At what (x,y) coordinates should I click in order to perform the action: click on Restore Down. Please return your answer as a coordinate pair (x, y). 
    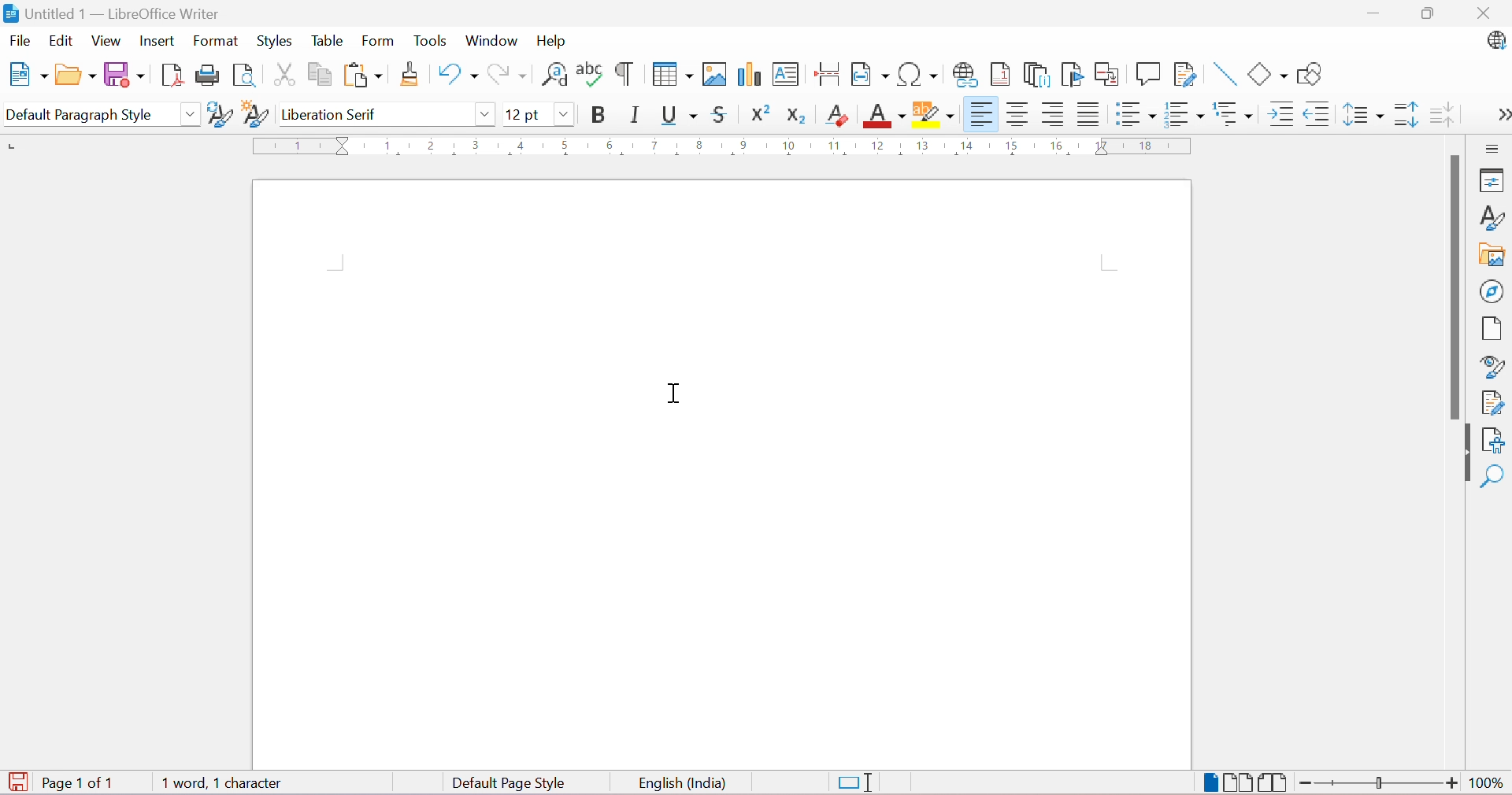
    Looking at the image, I should click on (1428, 13).